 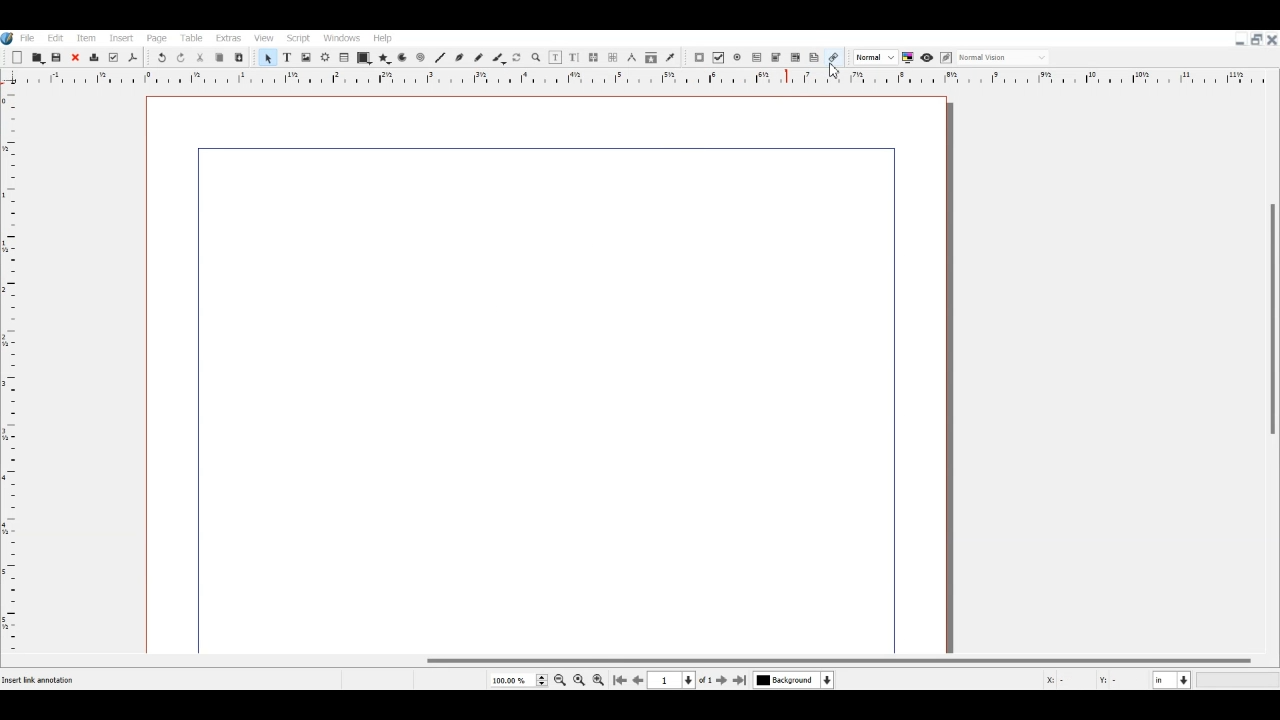 I want to click on Save as PDF, so click(x=133, y=58).